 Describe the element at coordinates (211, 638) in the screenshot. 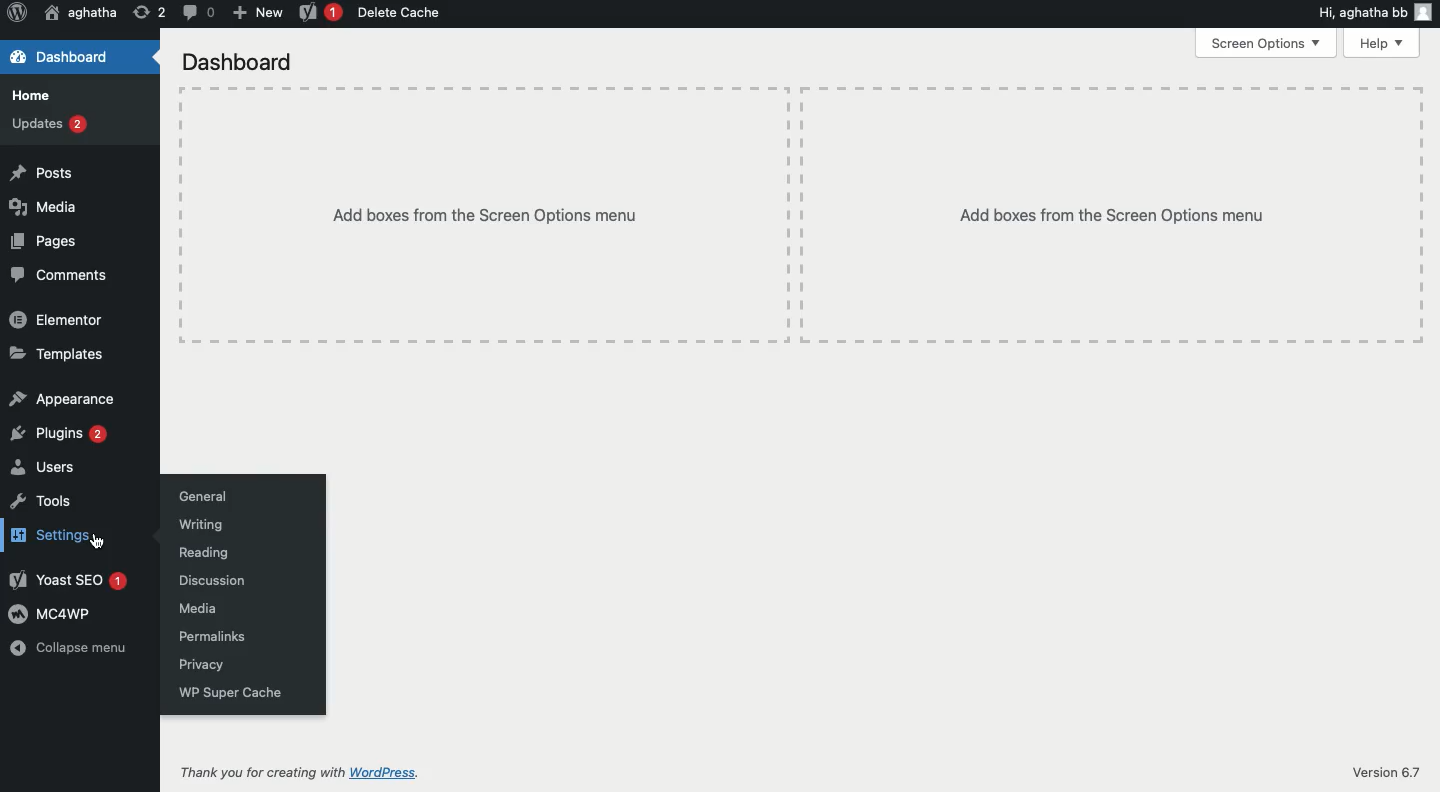

I see `Permalinks` at that location.